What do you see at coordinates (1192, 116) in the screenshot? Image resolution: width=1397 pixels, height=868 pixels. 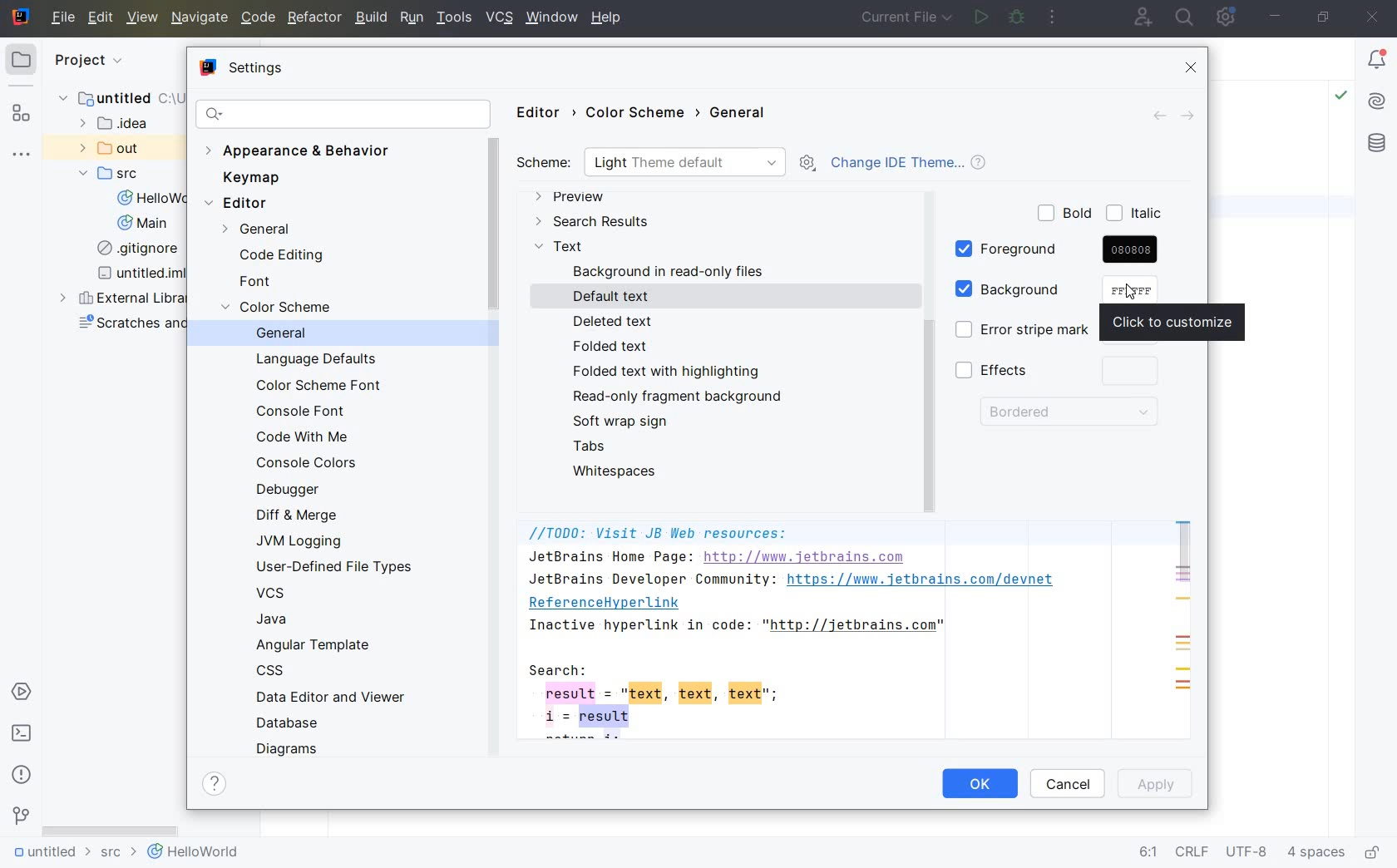 I see `FORWARD` at bounding box center [1192, 116].